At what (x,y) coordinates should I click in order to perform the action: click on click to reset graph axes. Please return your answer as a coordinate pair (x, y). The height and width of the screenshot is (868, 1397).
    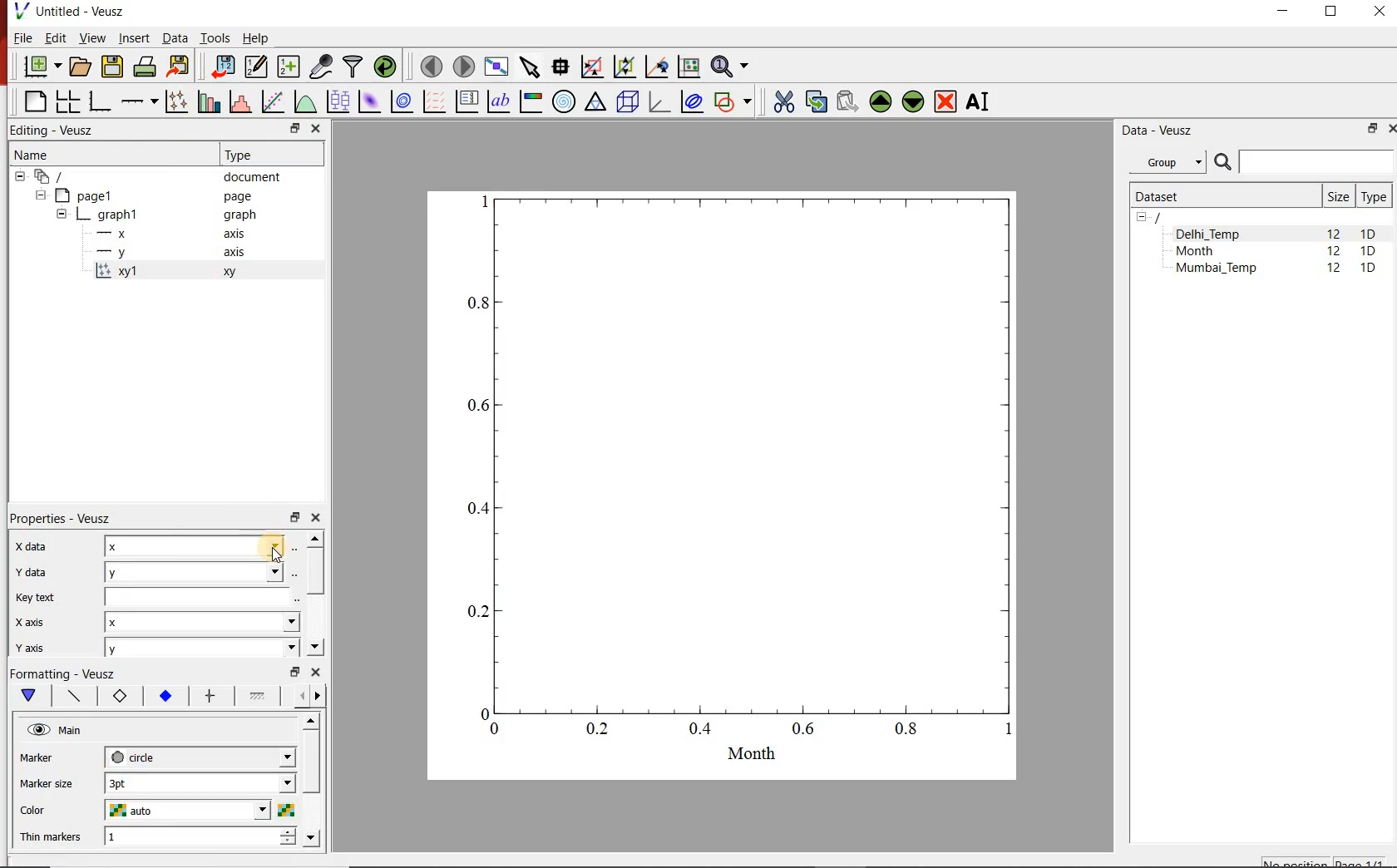
    Looking at the image, I should click on (689, 67).